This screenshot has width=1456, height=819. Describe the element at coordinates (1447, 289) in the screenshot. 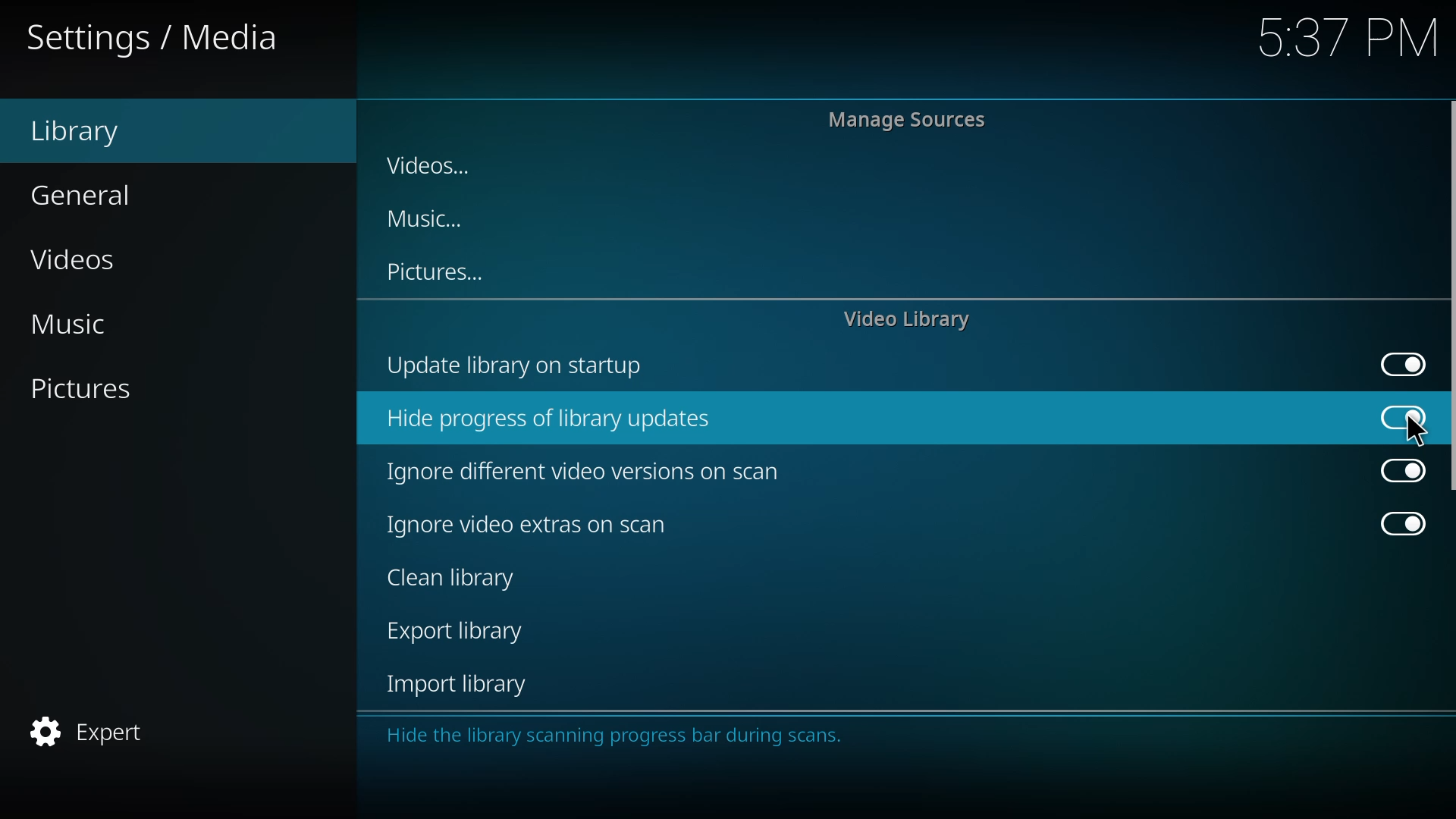

I see `vertical scroll bar` at that location.